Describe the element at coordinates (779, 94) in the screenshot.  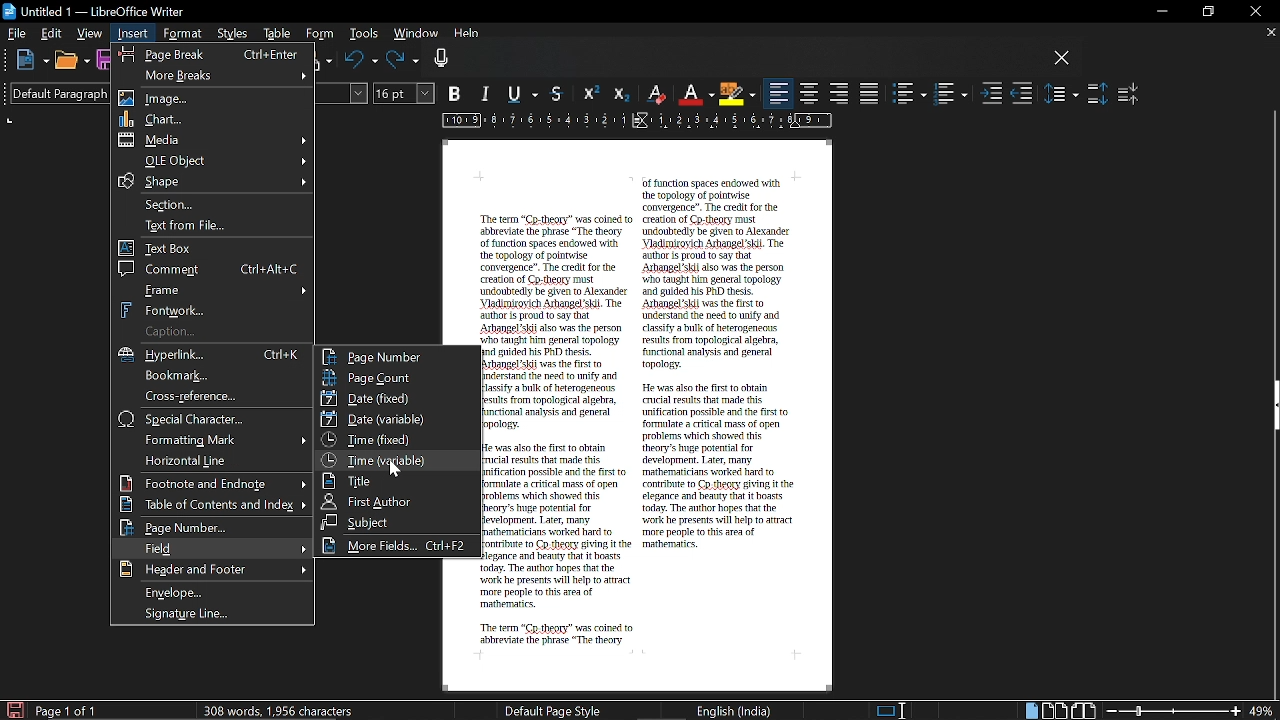
I see `Align left` at that location.